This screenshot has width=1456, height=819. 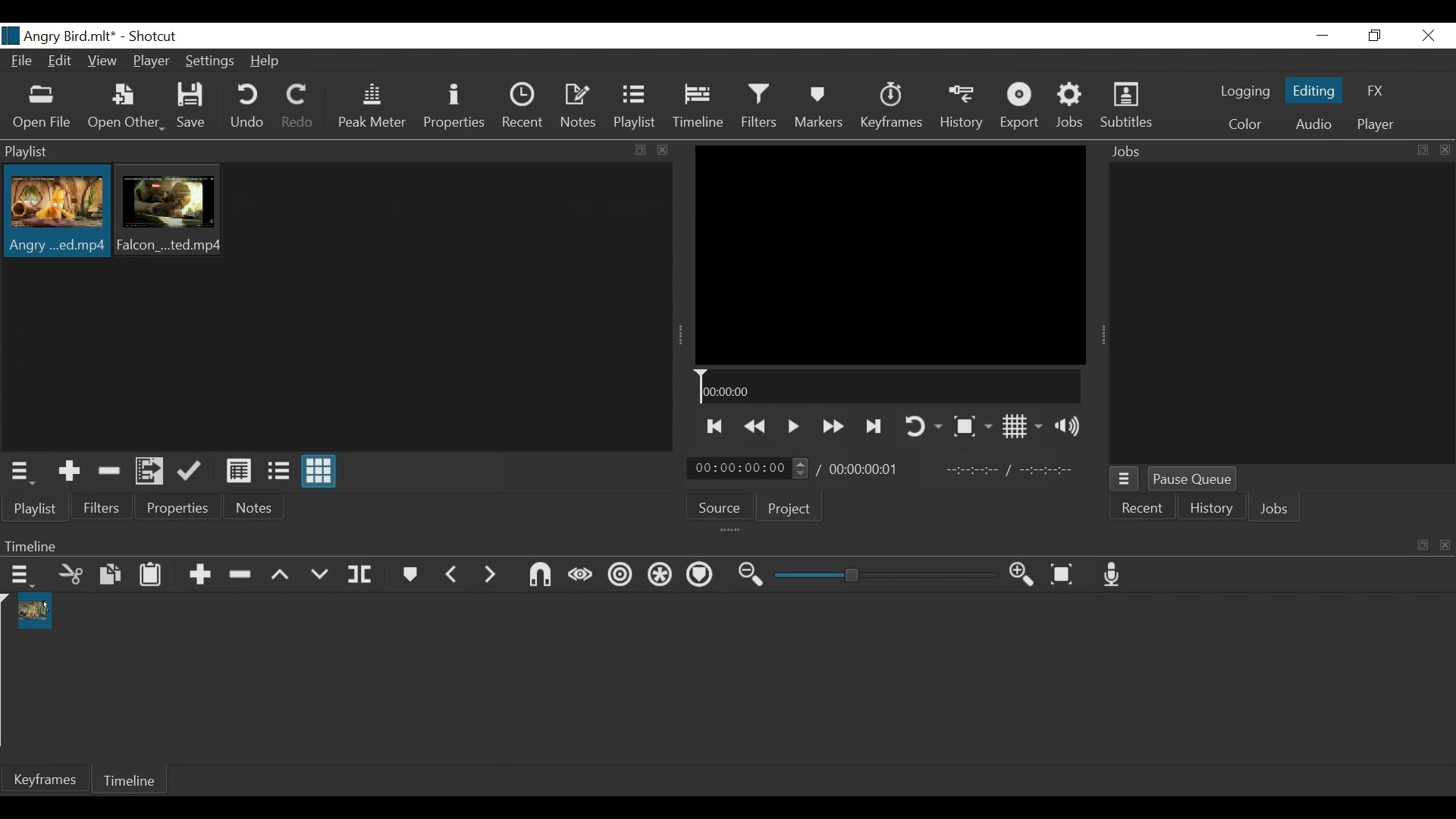 What do you see at coordinates (151, 472) in the screenshot?
I see `Add files to the playlist` at bounding box center [151, 472].